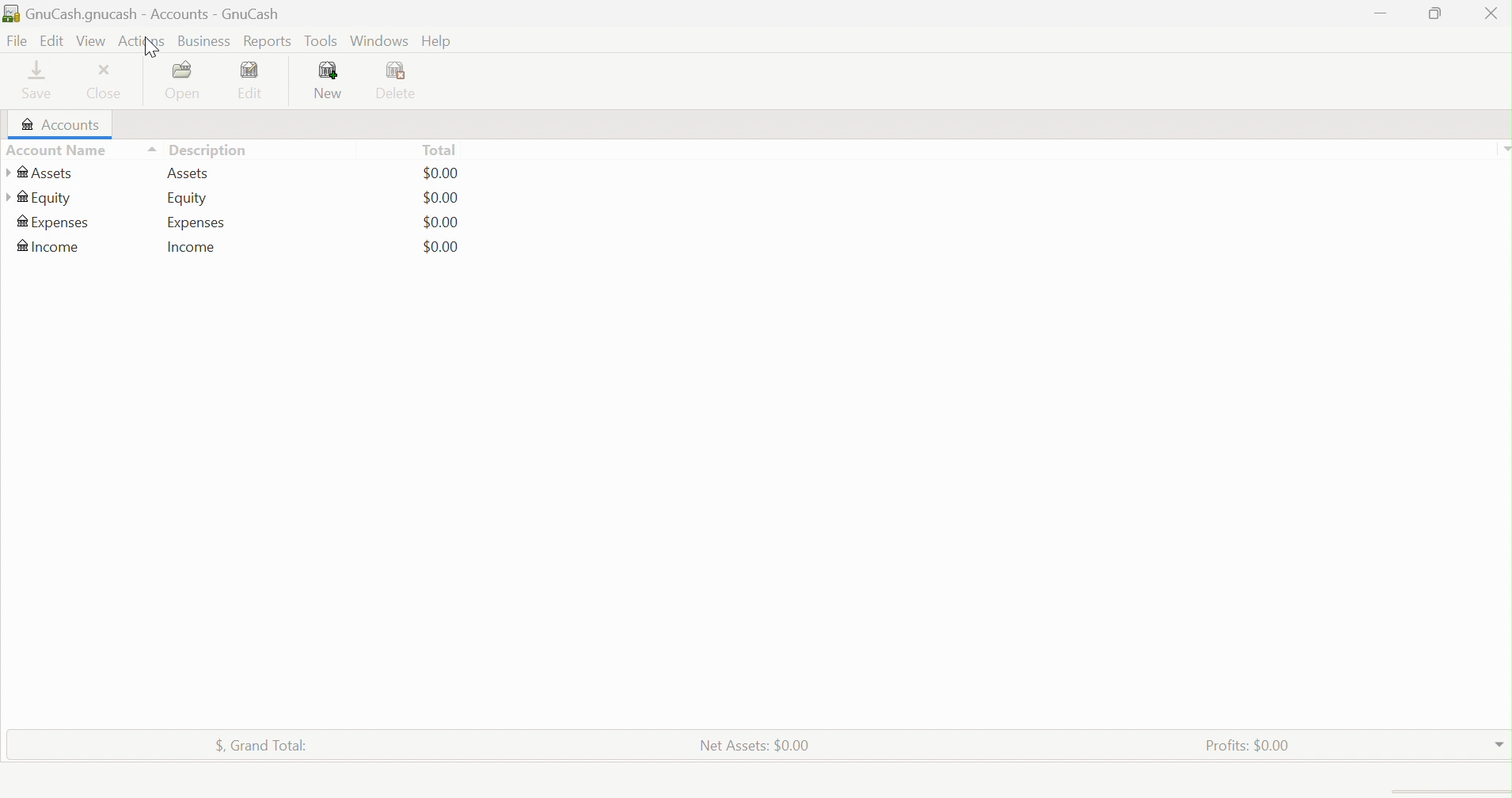  I want to click on Expenses, so click(197, 222).